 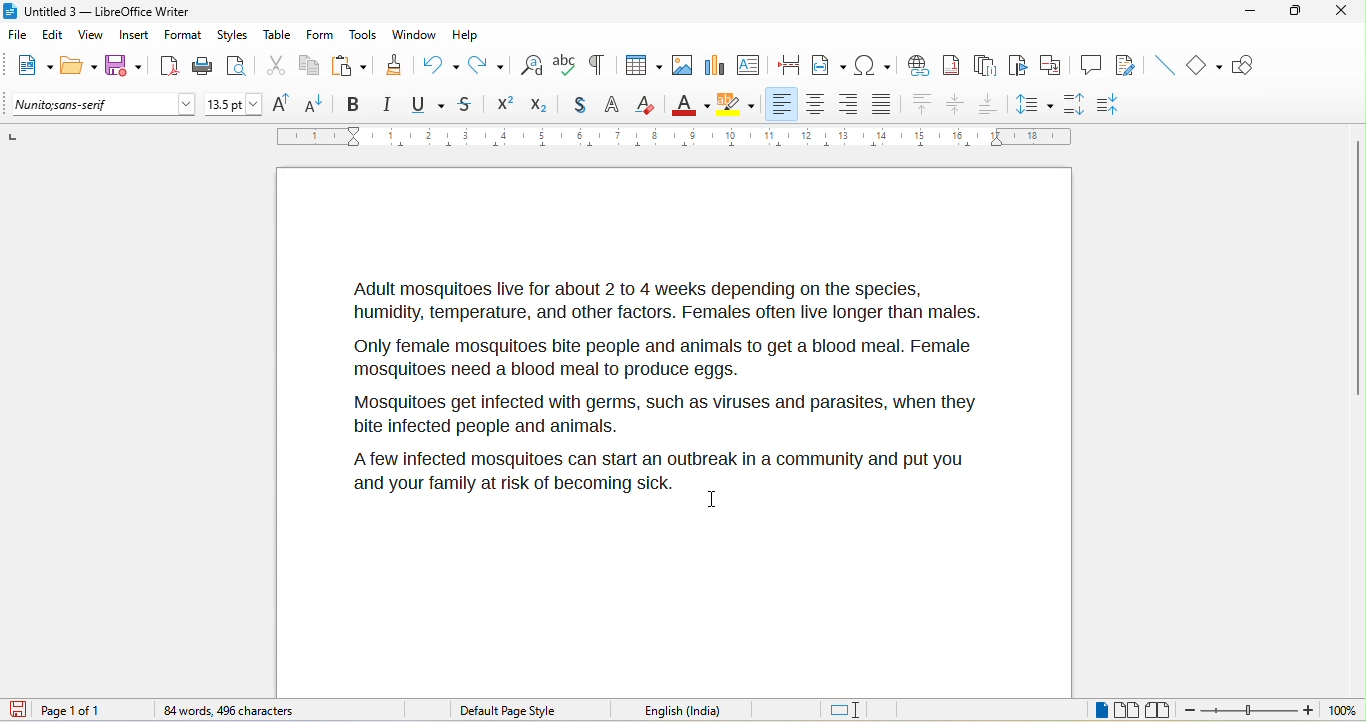 What do you see at coordinates (183, 37) in the screenshot?
I see `format` at bounding box center [183, 37].